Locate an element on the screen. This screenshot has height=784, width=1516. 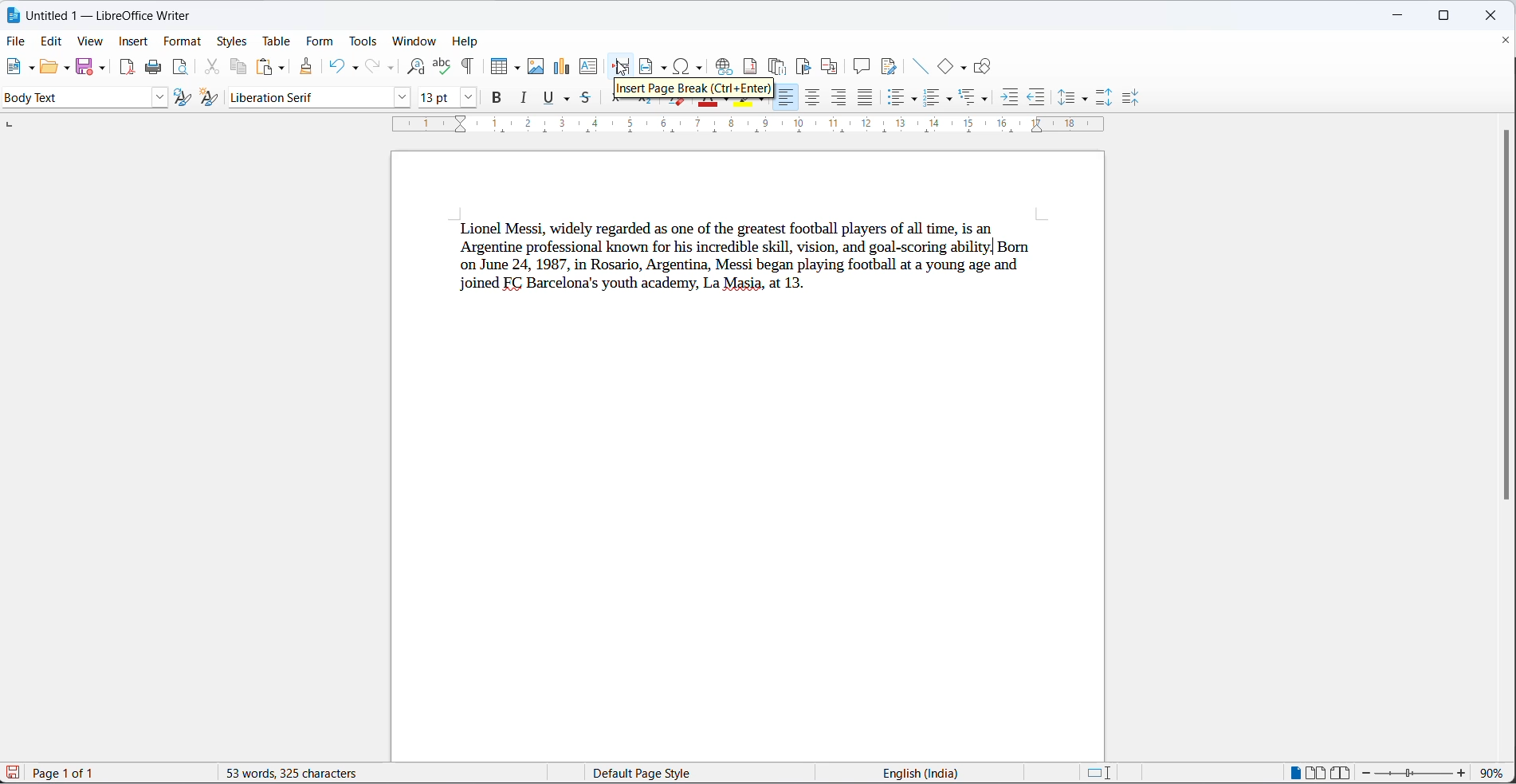
libreoffice logo is located at coordinates (12, 14).